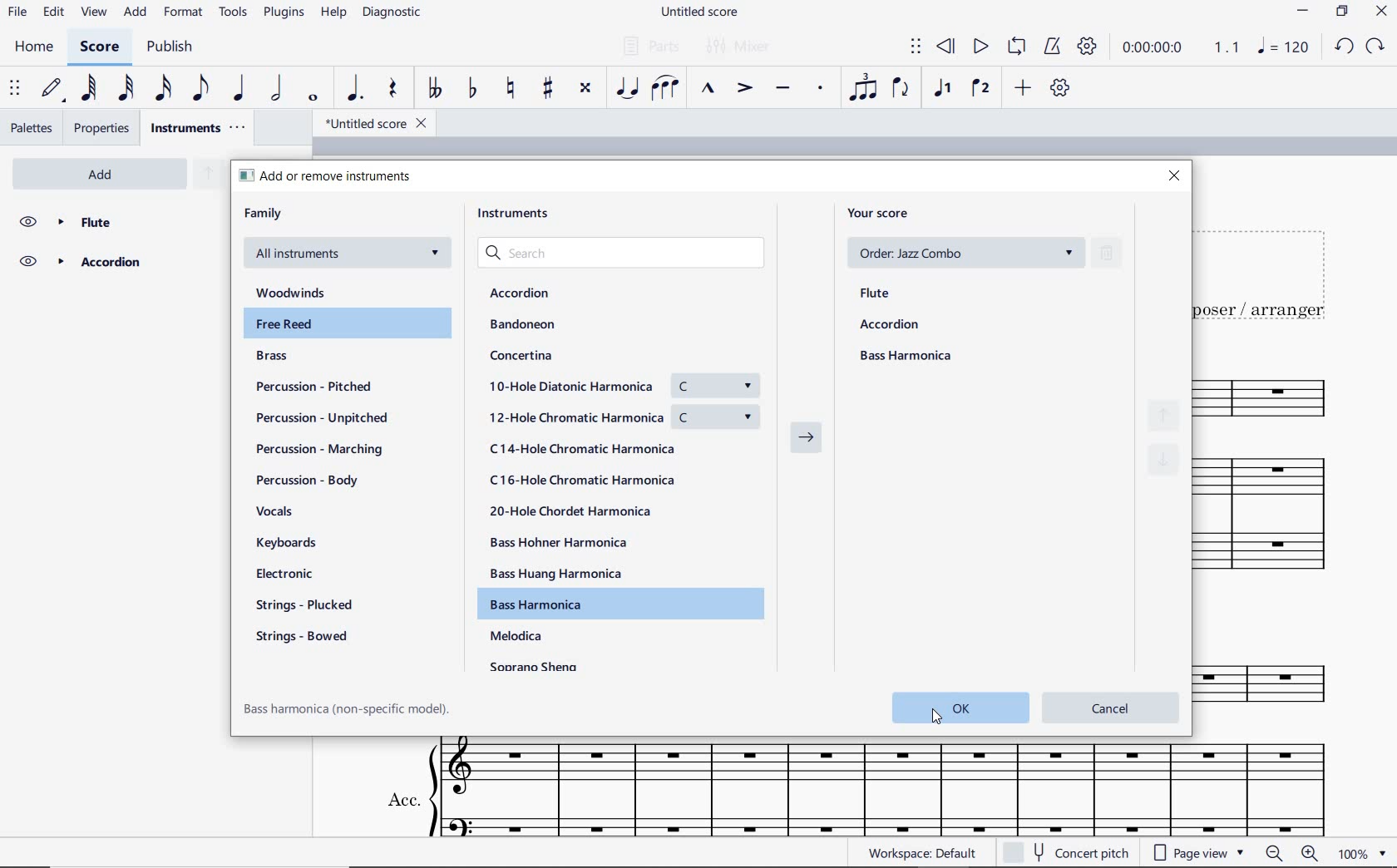  I want to click on order: Jazz Combo, so click(964, 252).